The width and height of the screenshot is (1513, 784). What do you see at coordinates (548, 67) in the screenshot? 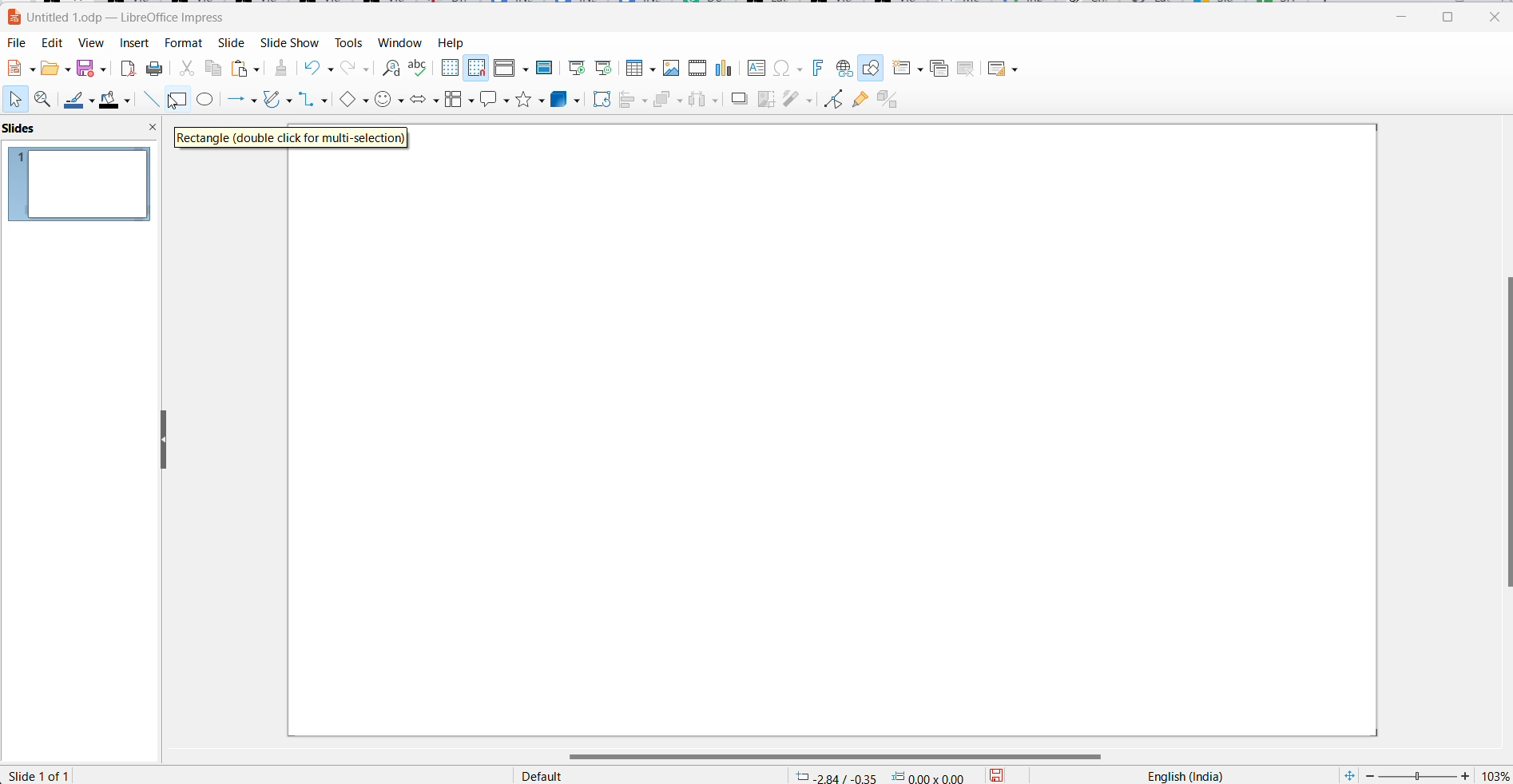
I see `Master slide` at bounding box center [548, 67].